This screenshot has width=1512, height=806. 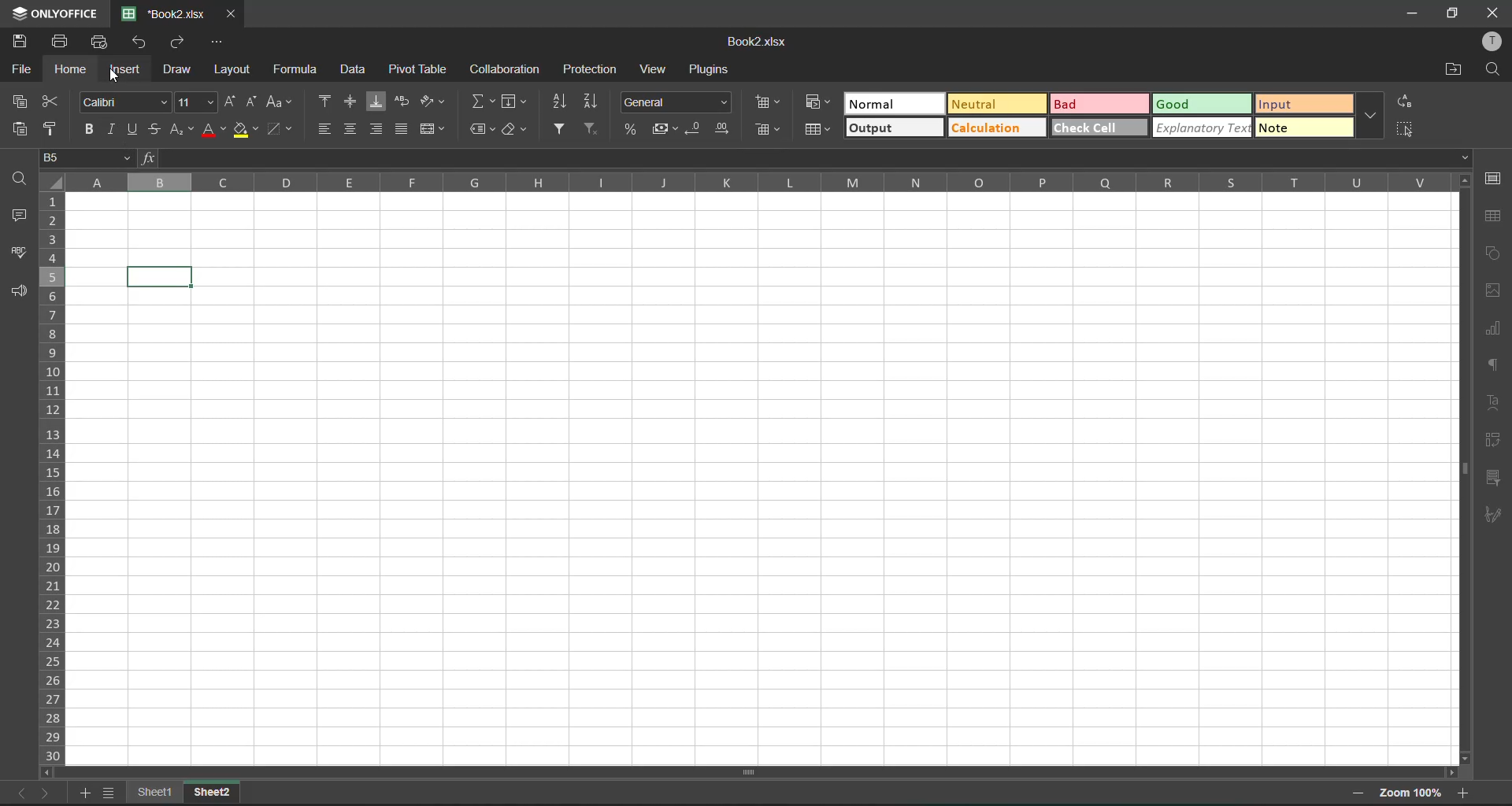 What do you see at coordinates (1492, 257) in the screenshot?
I see `shapes` at bounding box center [1492, 257].